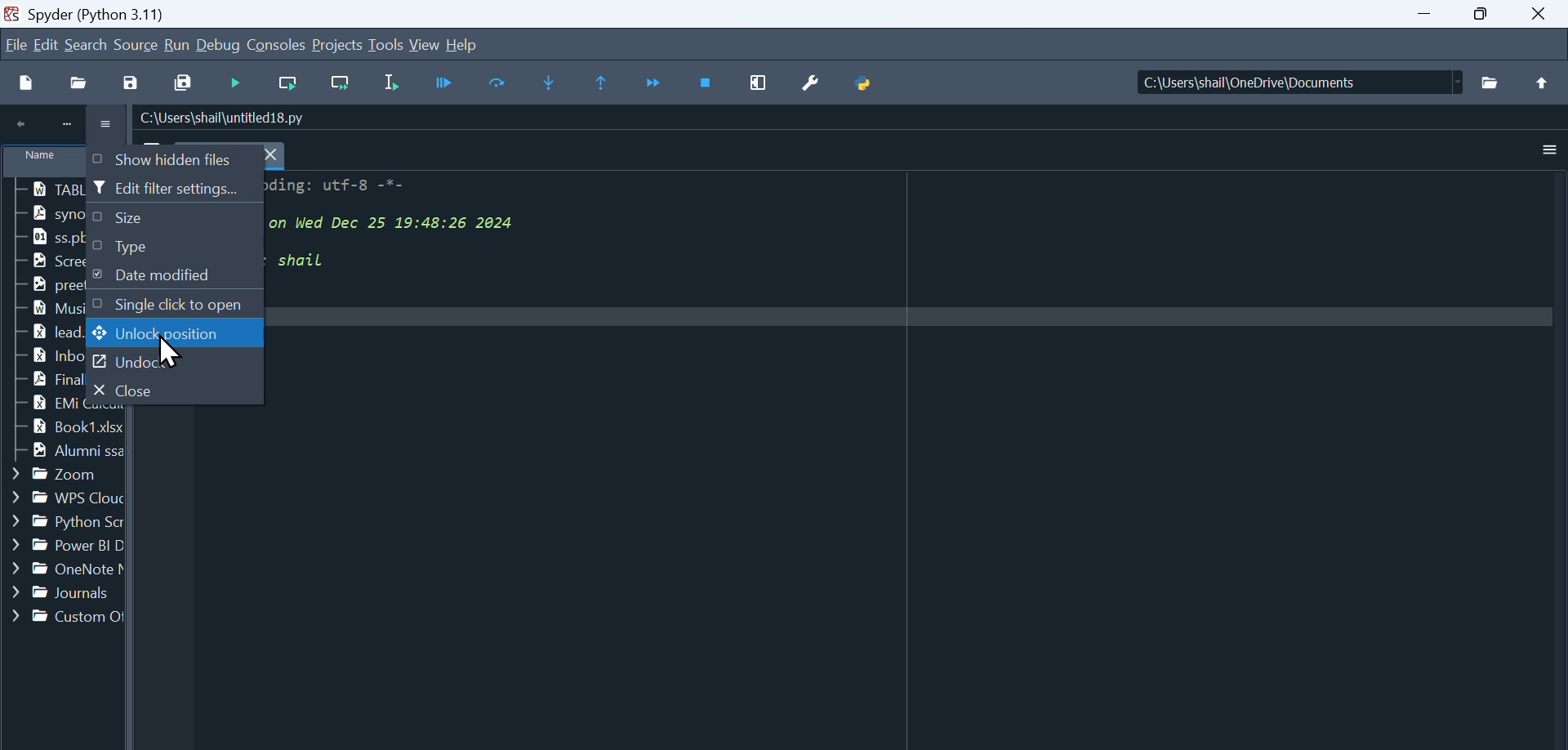 This screenshot has width=1568, height=750. Describe the element at coordinates (760, 83) in the screenshot. I see `Maximise current window` at that location.